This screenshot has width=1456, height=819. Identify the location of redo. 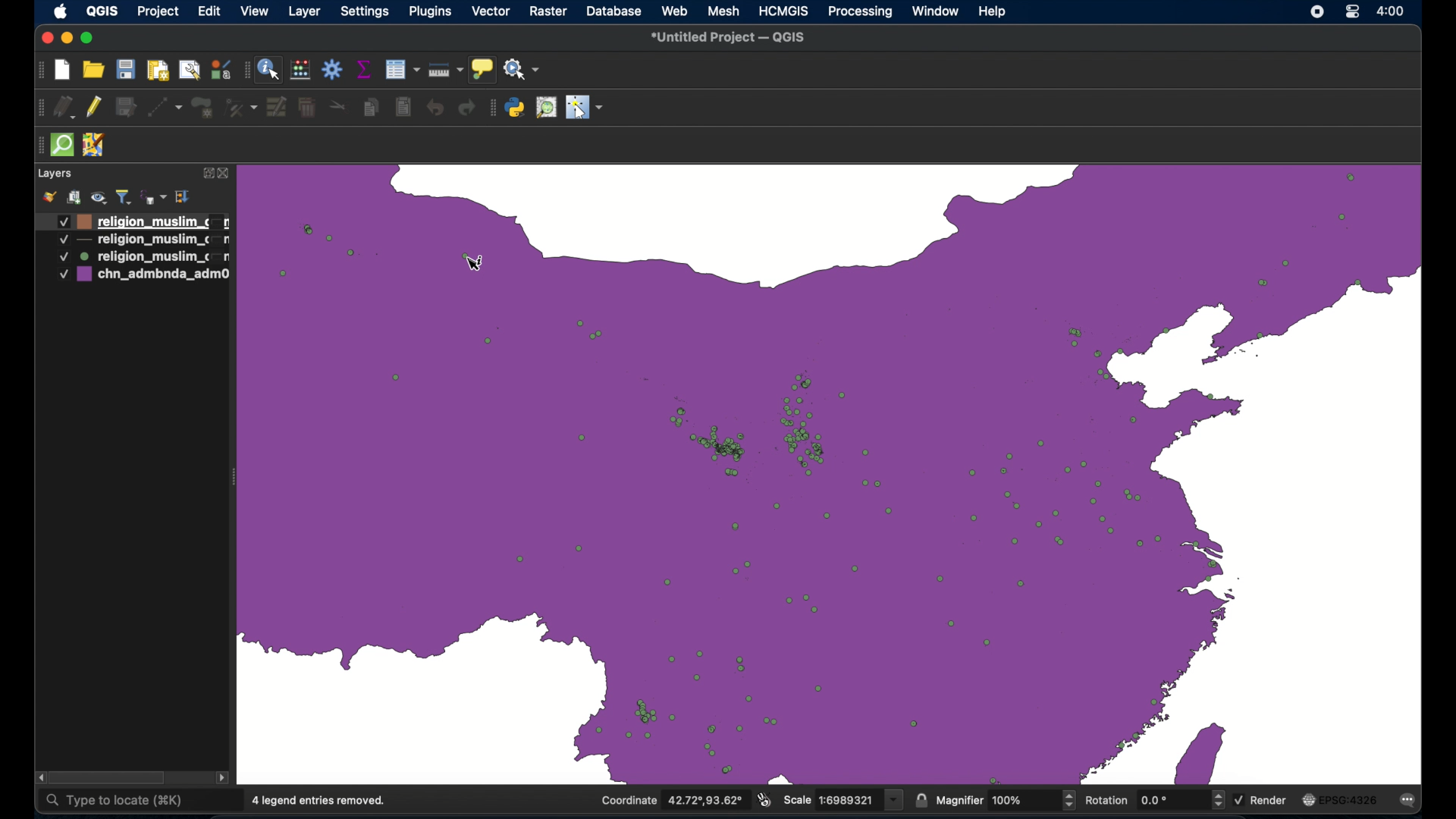
(466, 108).